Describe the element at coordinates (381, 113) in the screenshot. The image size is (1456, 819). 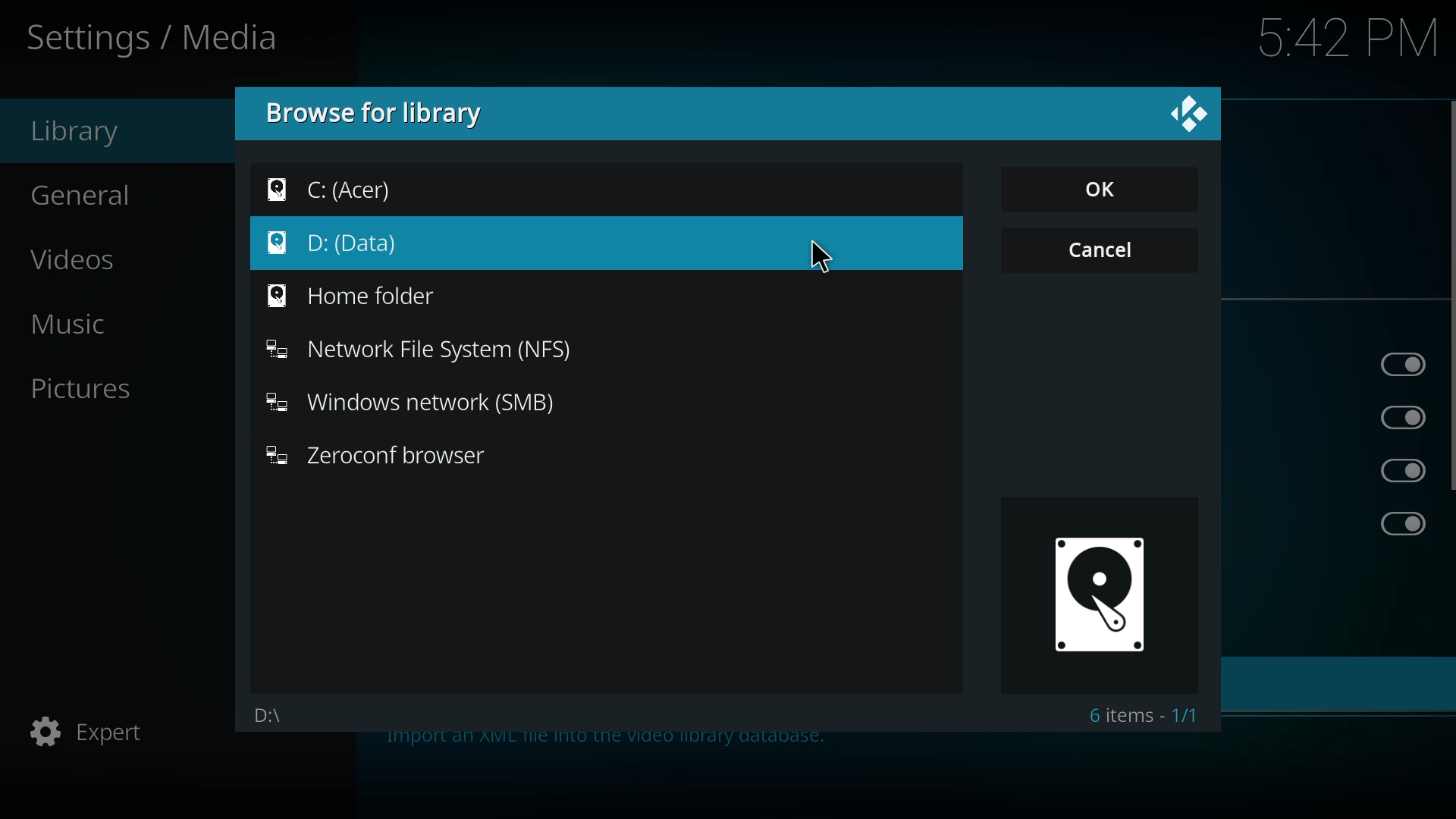
I see `browse` at that location.